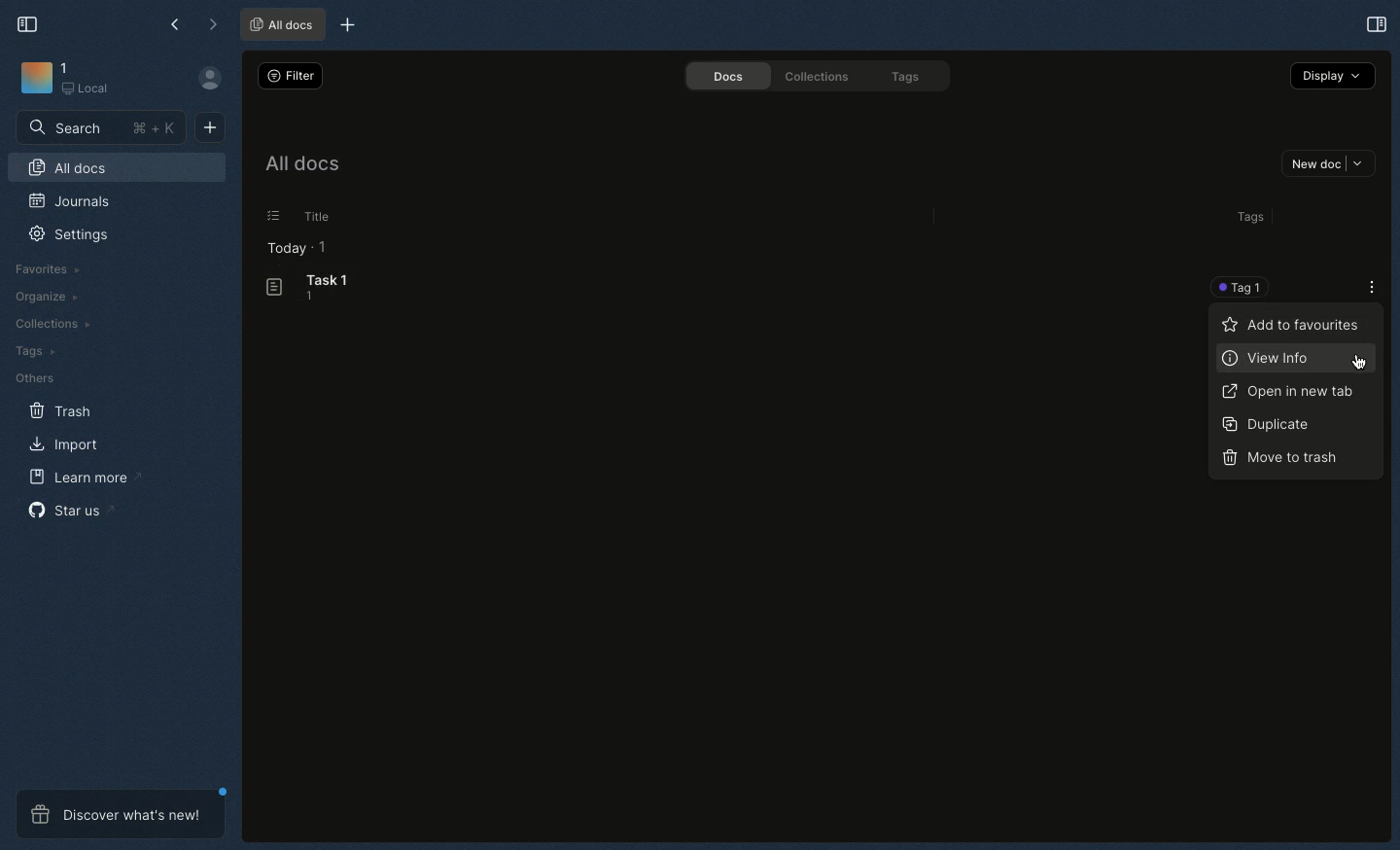  I want to click on Open in new tab, so click(1290, 393).